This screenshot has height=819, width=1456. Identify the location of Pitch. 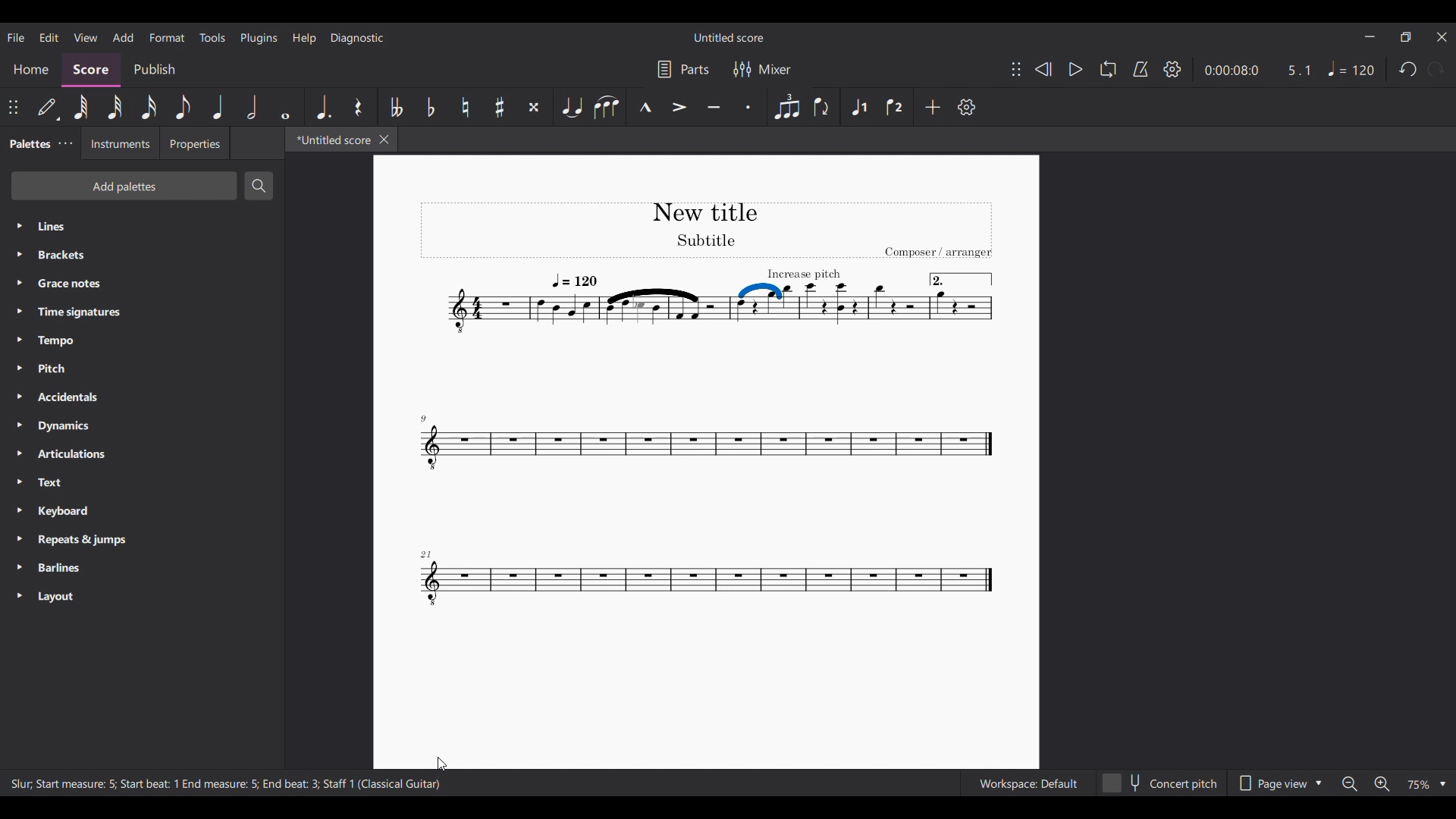
(142, 369).